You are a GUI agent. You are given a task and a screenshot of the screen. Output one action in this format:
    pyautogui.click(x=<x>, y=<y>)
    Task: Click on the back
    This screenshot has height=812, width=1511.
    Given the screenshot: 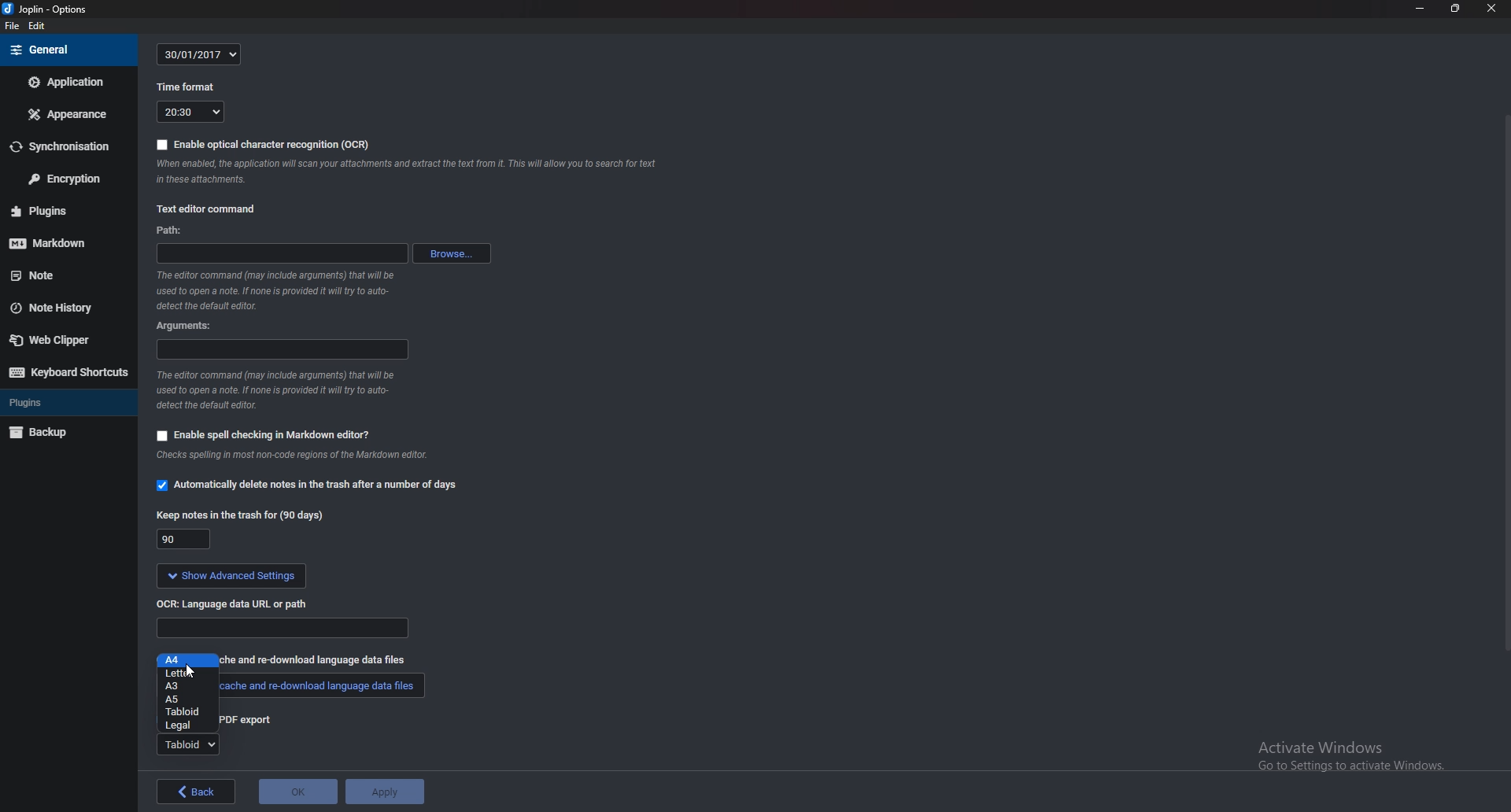 What is the action you would take?
    pyautogui.click(x=196, y=792)
    